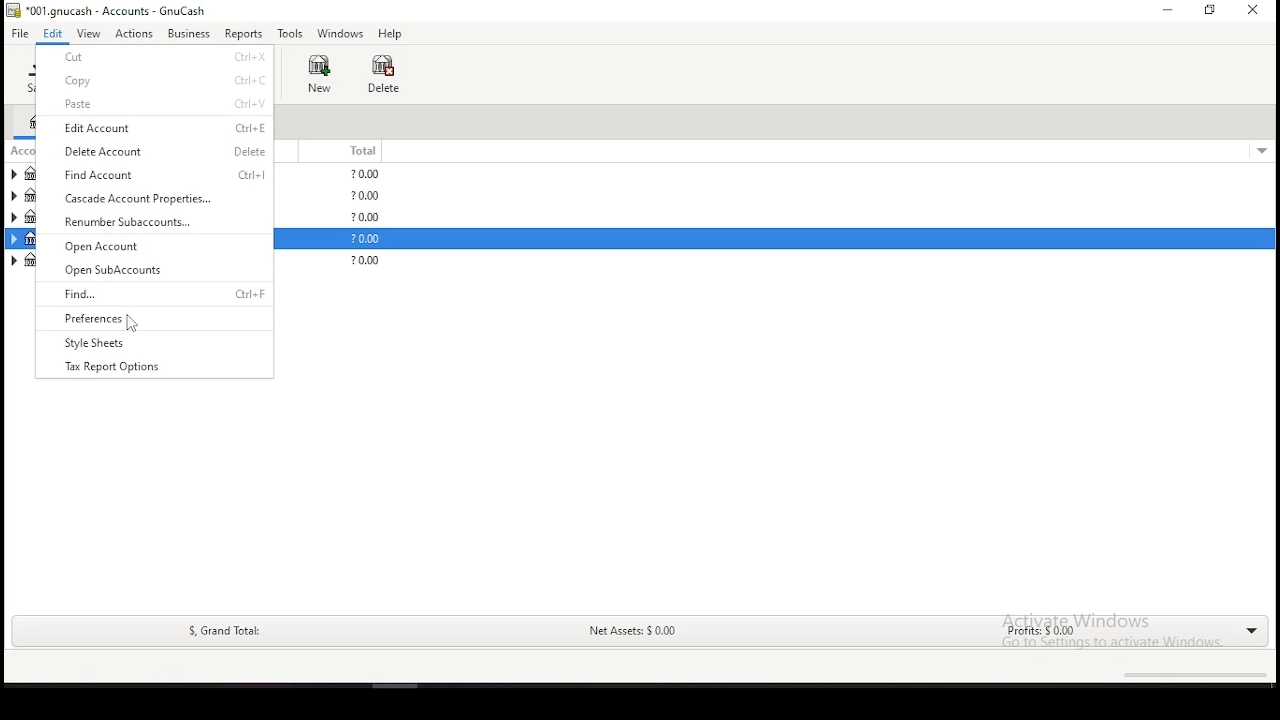  What do you see at coordinates (362, 262) in the screenshot?
I see `? 0.00` at bounding box center [362, 262].